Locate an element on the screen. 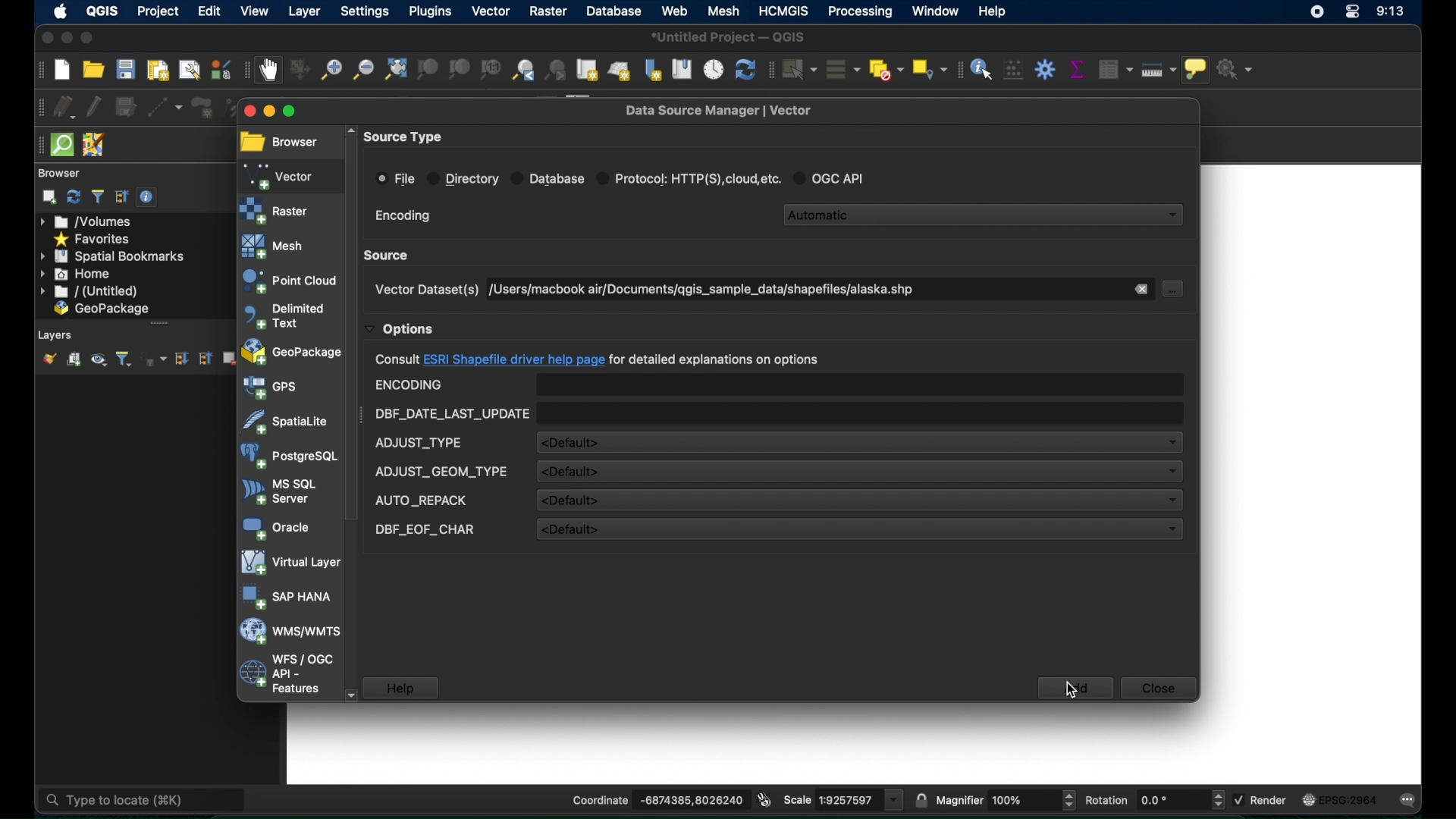  open project is located at coordinates (93, 70).